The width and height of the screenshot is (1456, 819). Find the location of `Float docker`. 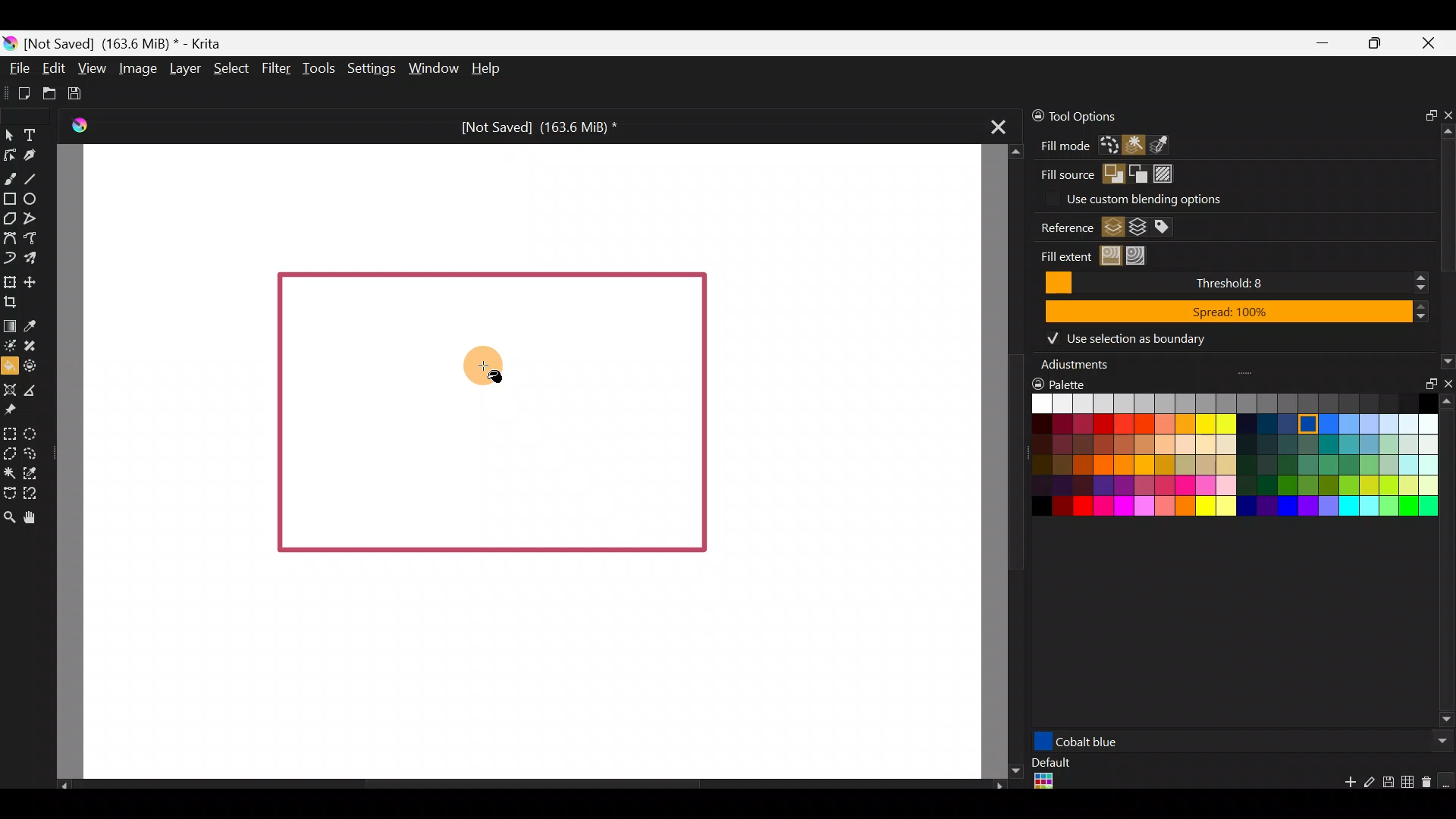

Float docker is located at coordinates (1426, 387).